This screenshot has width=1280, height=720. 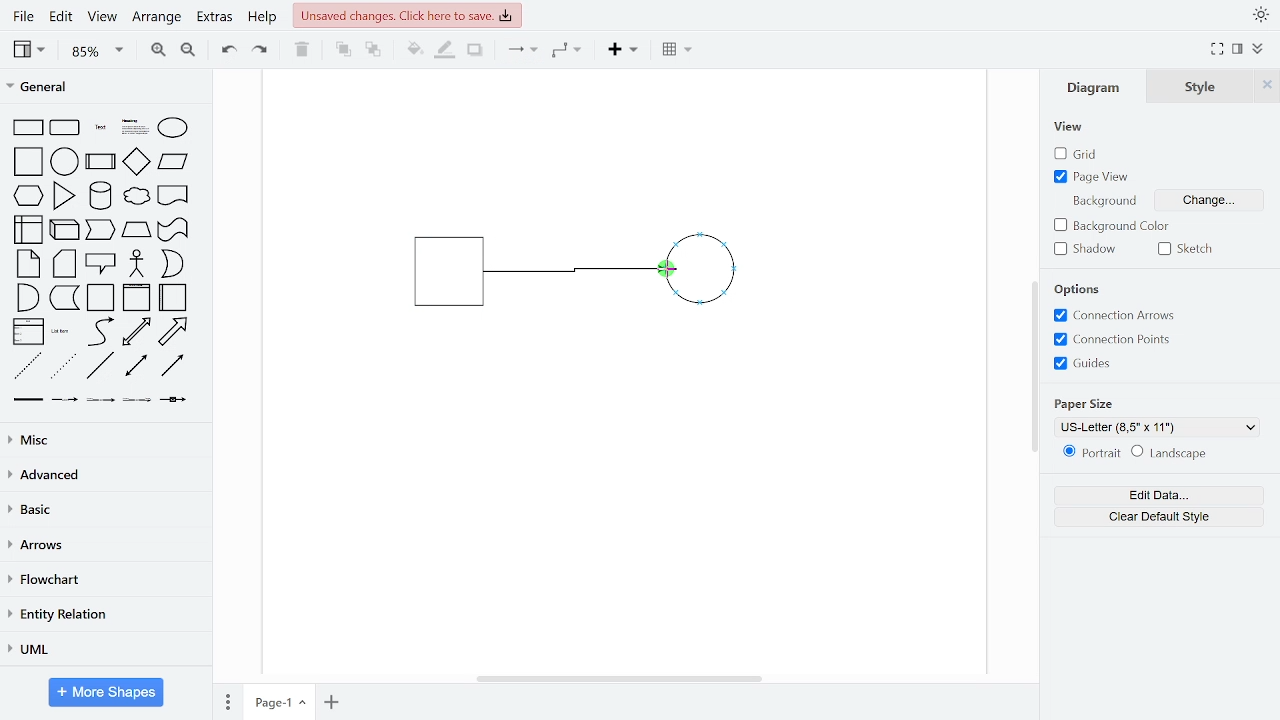 I want to click on document, so click(x=174, y=194).